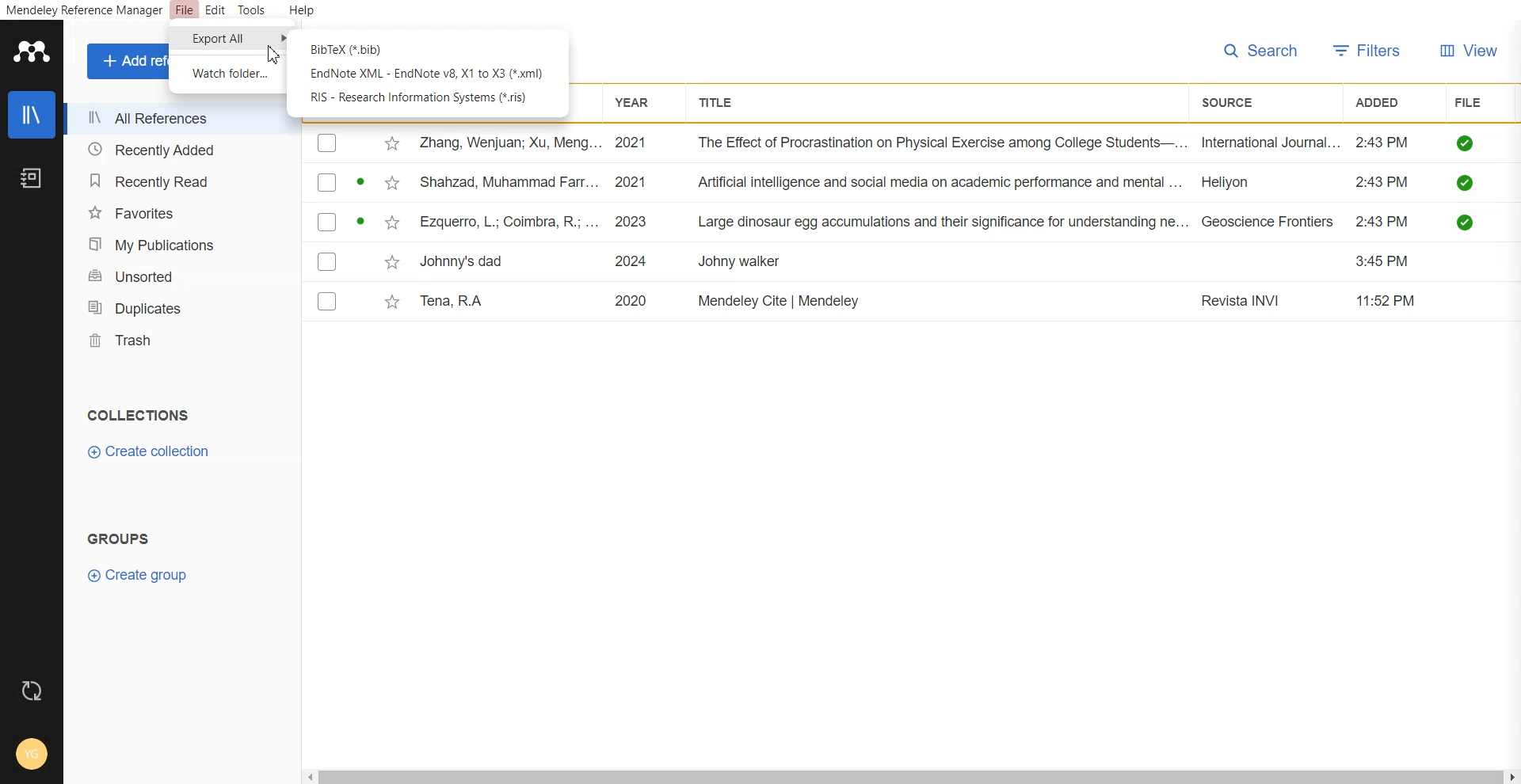 The height and width of the screenshot is (784, 1521). I want to click on Library, so click(31, 115).